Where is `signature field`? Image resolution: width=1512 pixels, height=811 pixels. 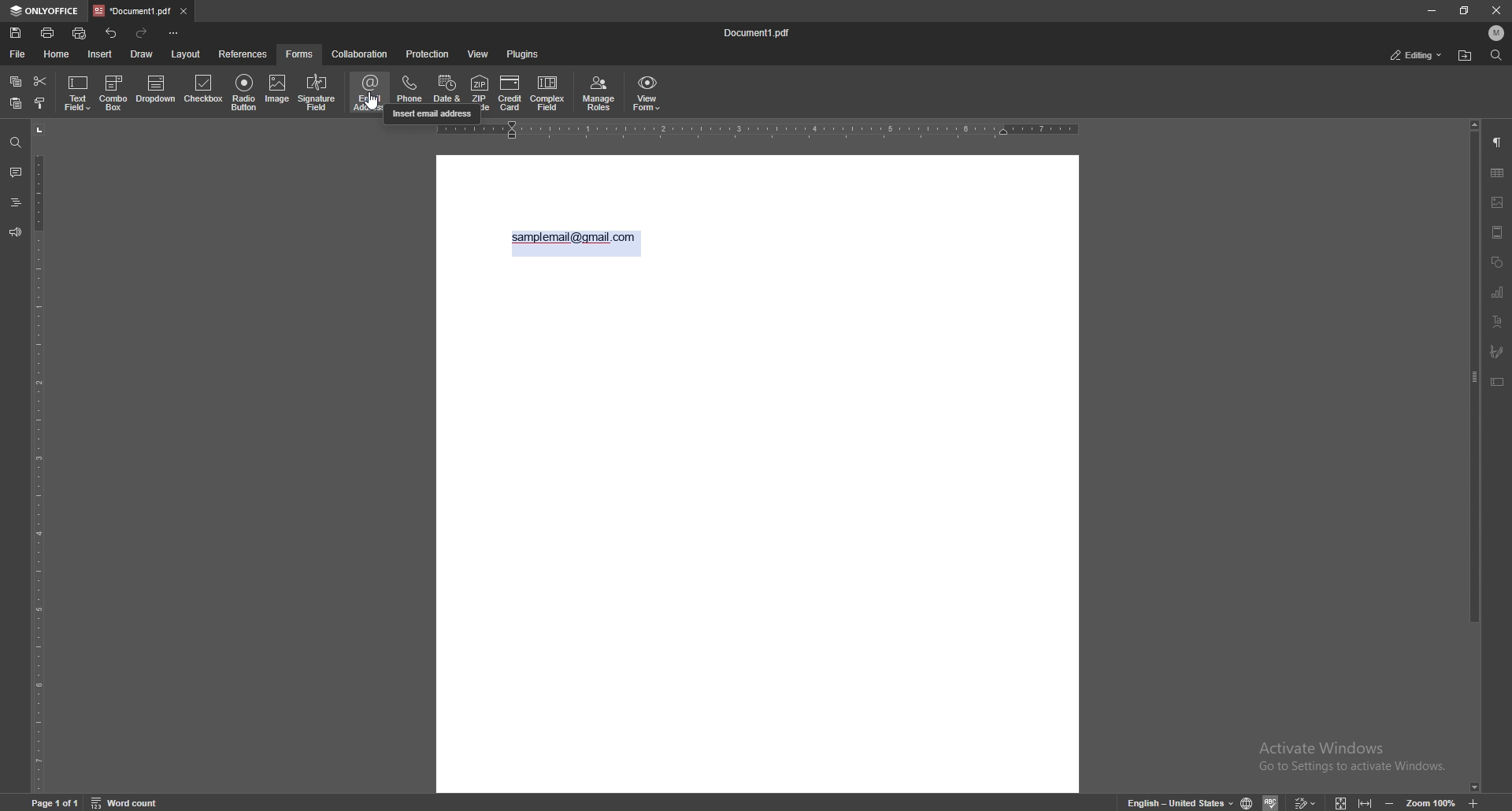 signature field is located at coordinates (317, 93).